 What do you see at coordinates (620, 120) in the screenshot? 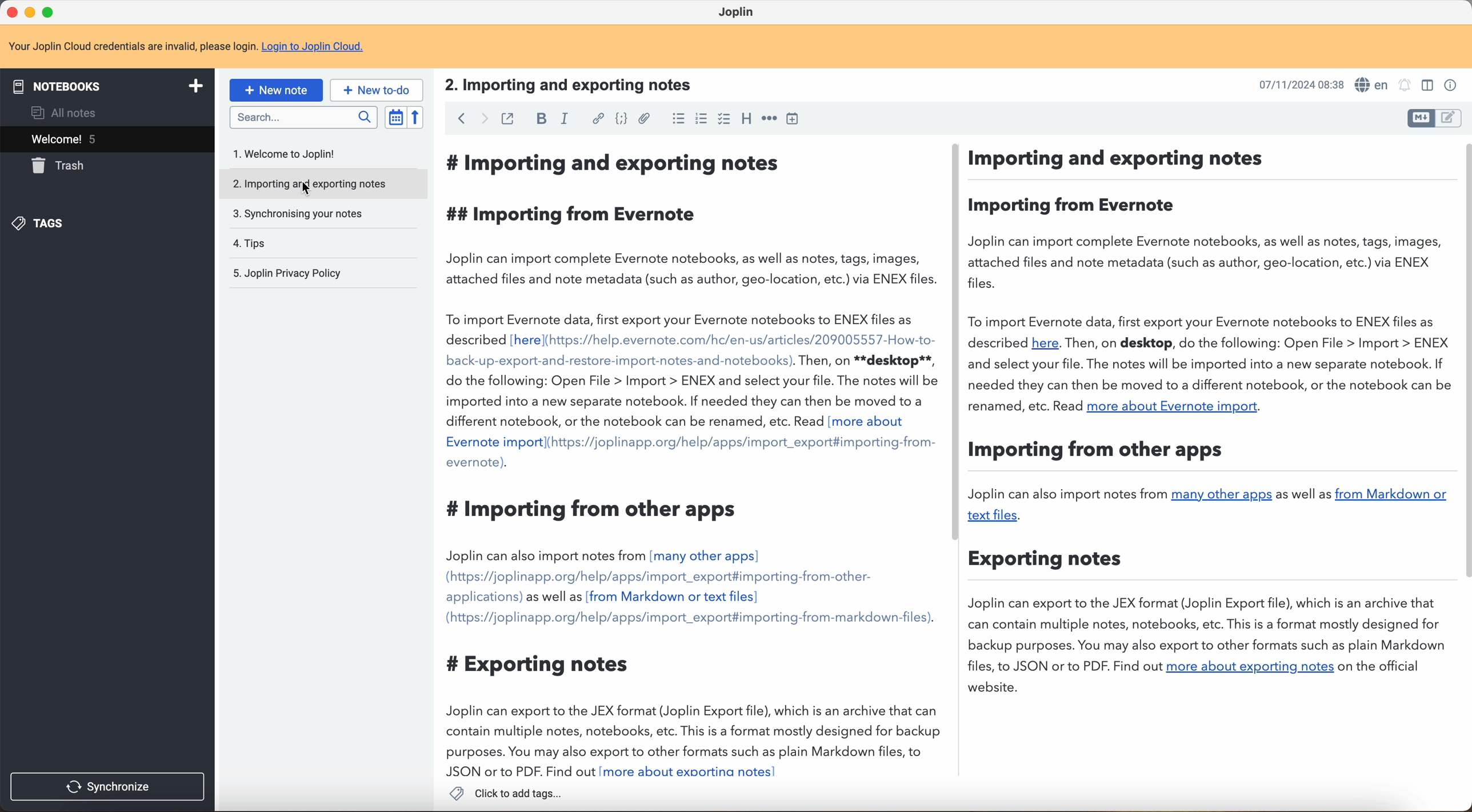
I see `code` at bounding box center [620, 120].